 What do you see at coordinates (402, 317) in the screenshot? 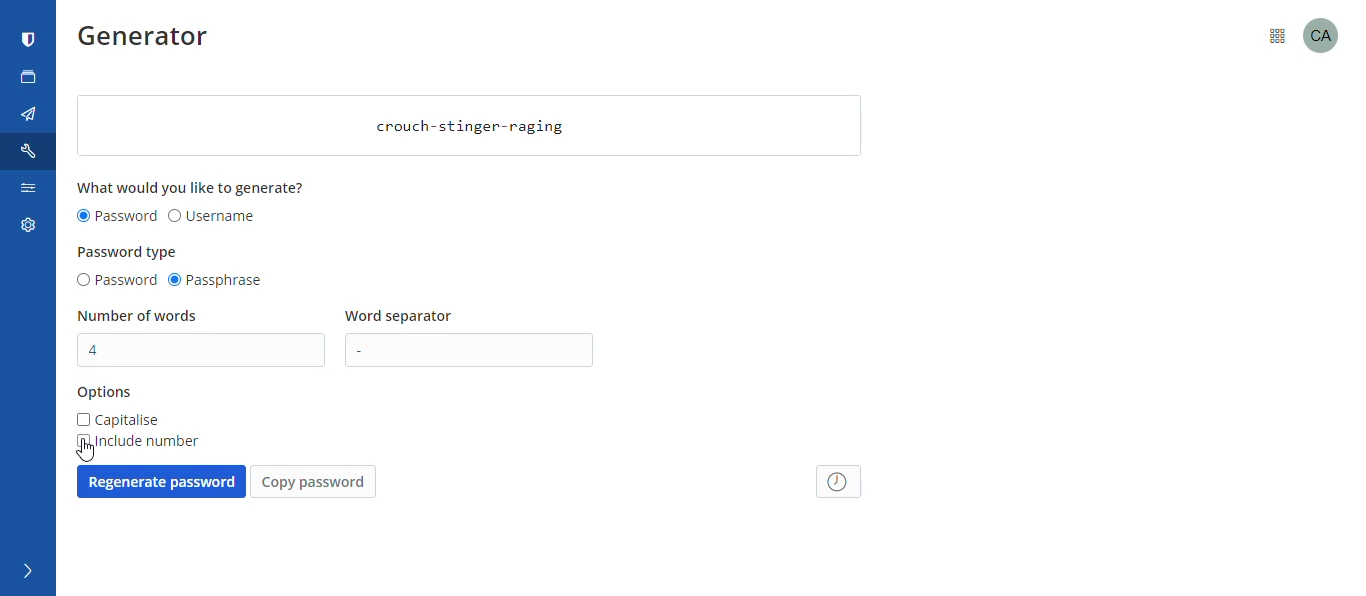
I see `word separator` at bounding box center [402, 317].